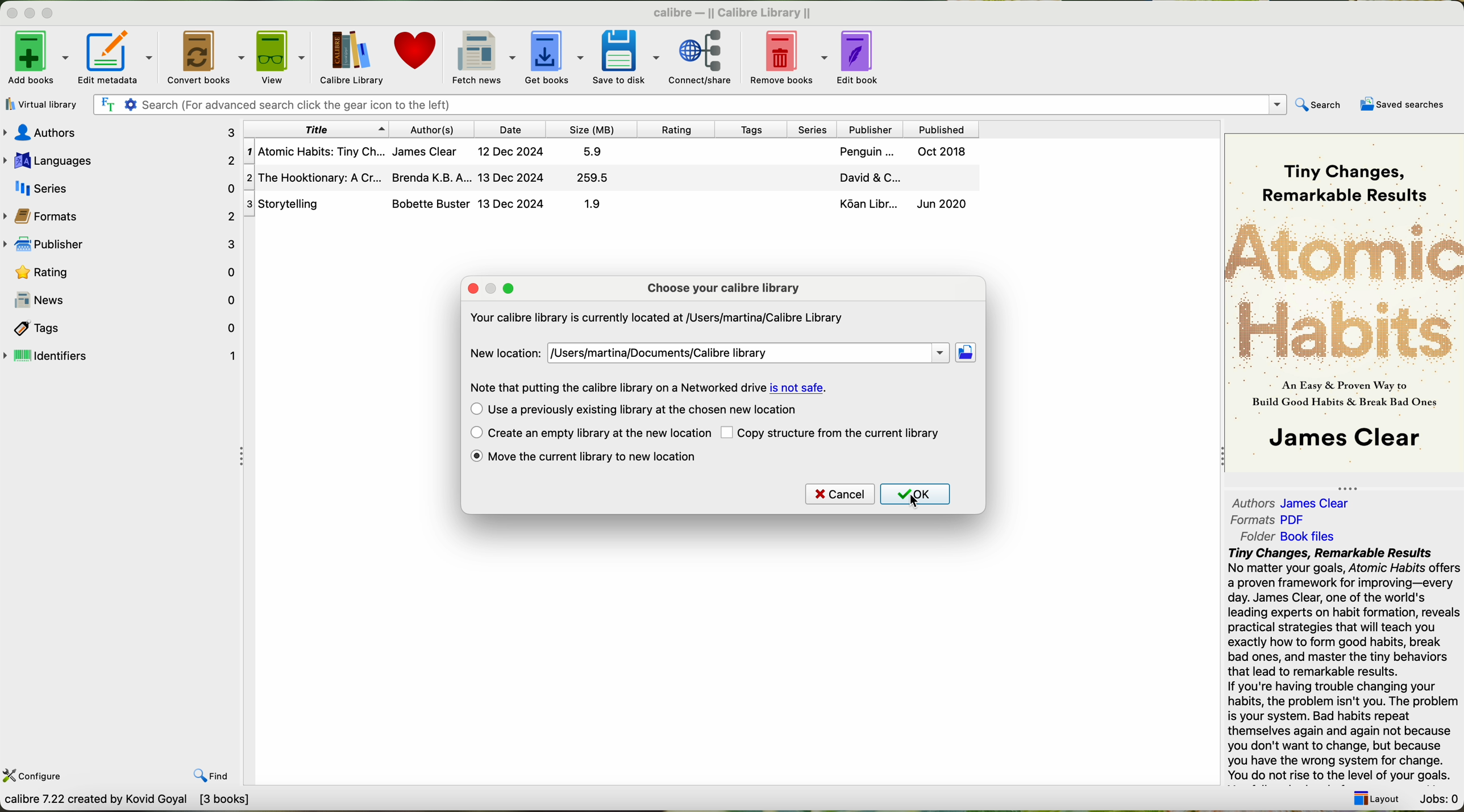  What do you see at coordinates (1253, 520) in the screenshot?
I see `formats ` at bounding box center [1253, 520].